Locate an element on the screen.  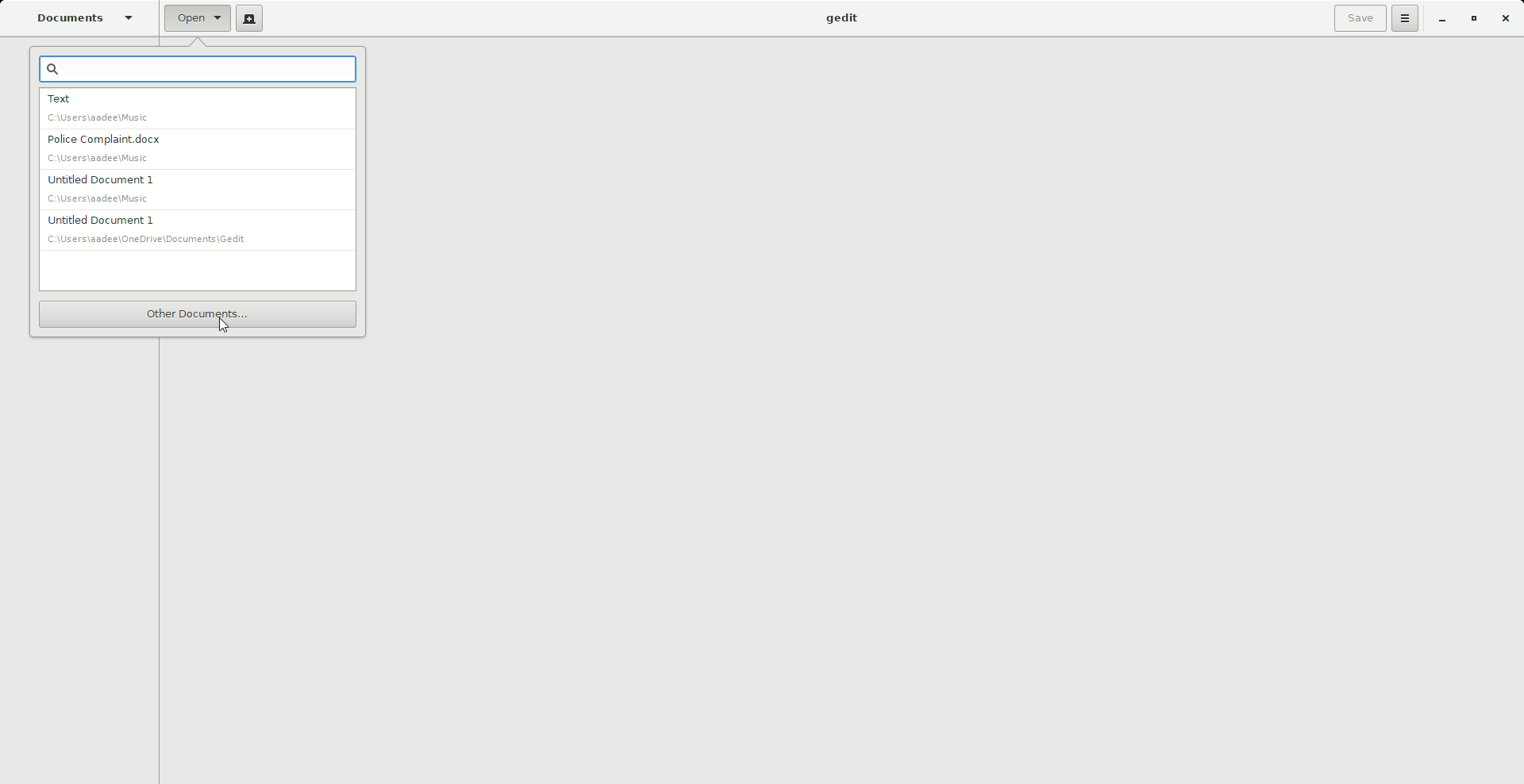
New is located at coordinates (254, 17).